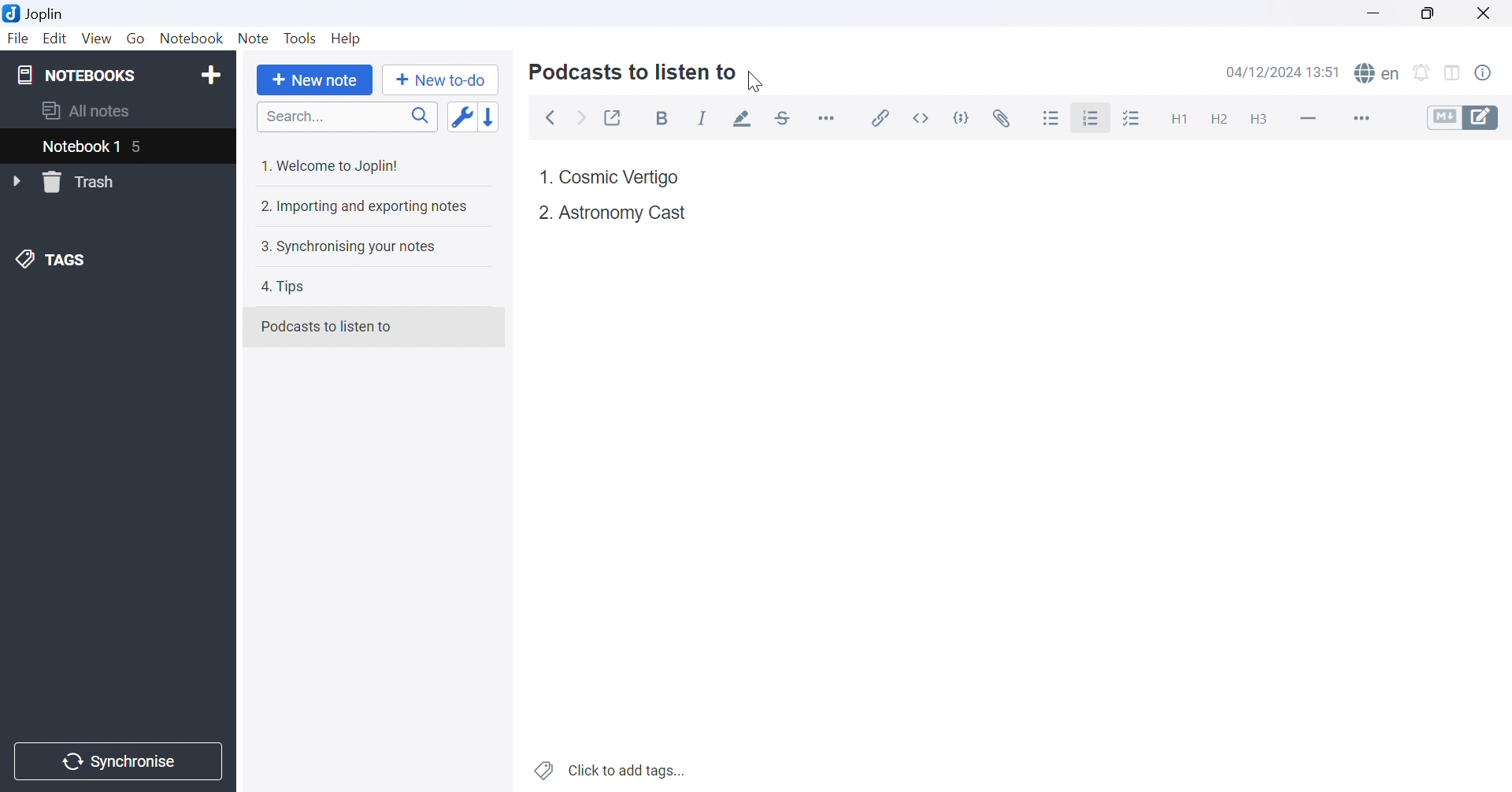 This screenshot has height=792, width=1512. Describe the element at coordinates (784, 117) in the screenshot. I see `Strikethrough` at that location.